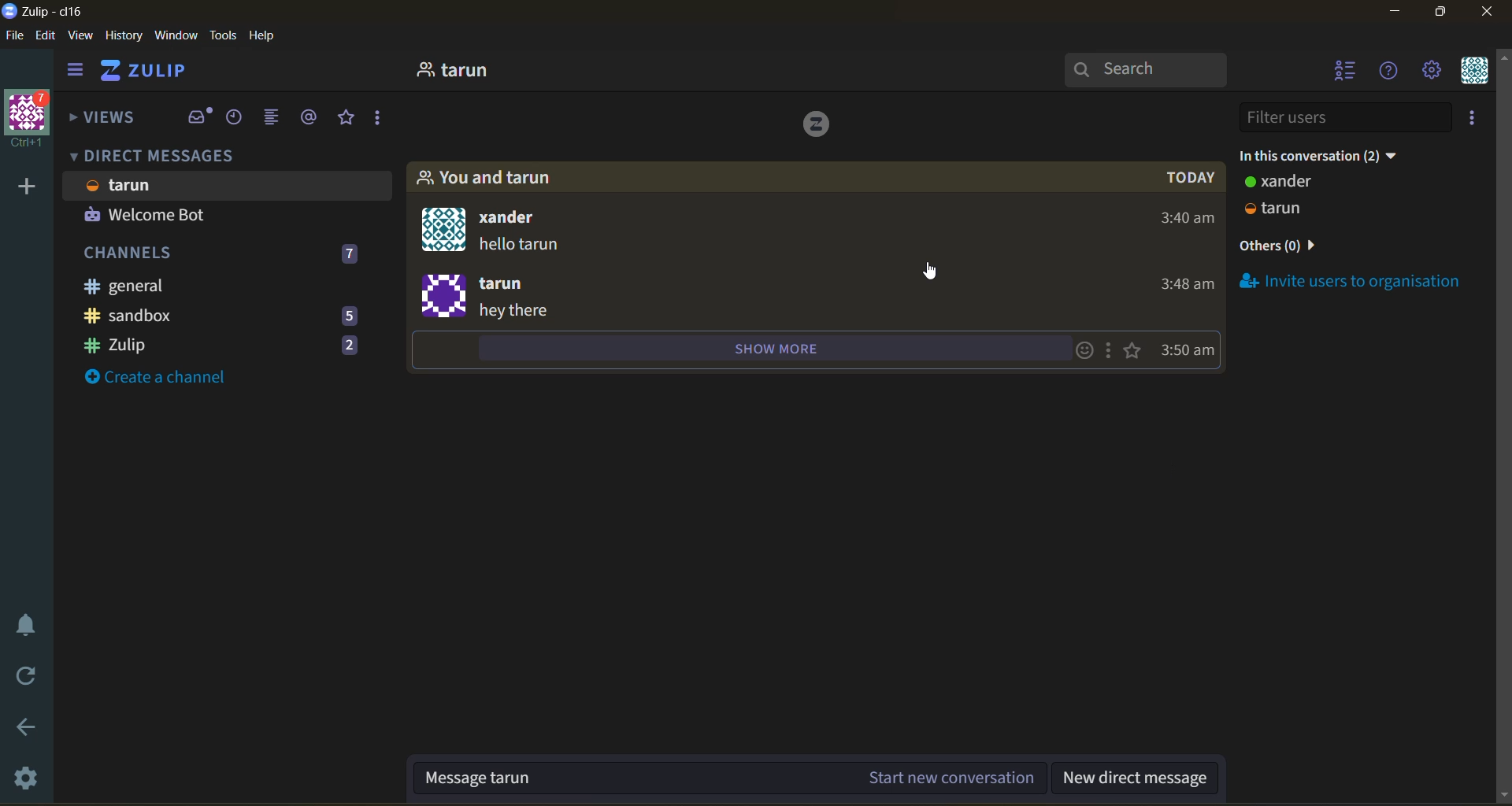 Image resolution: width=1512 pixels, height=806 pixels. I want to click on views, so click(105, 119).